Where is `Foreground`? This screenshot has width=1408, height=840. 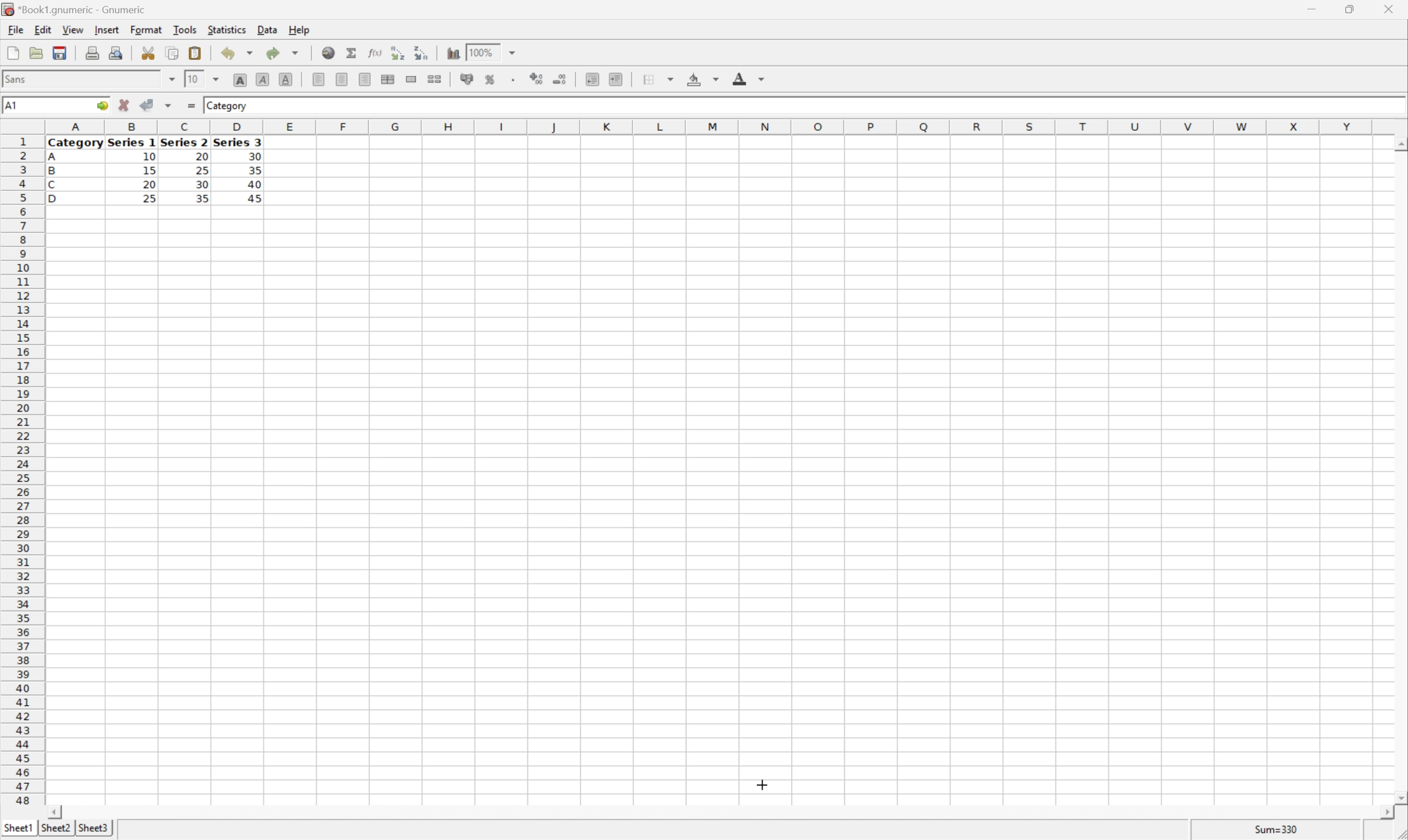 Foreground is located at coordinates (747, 77).